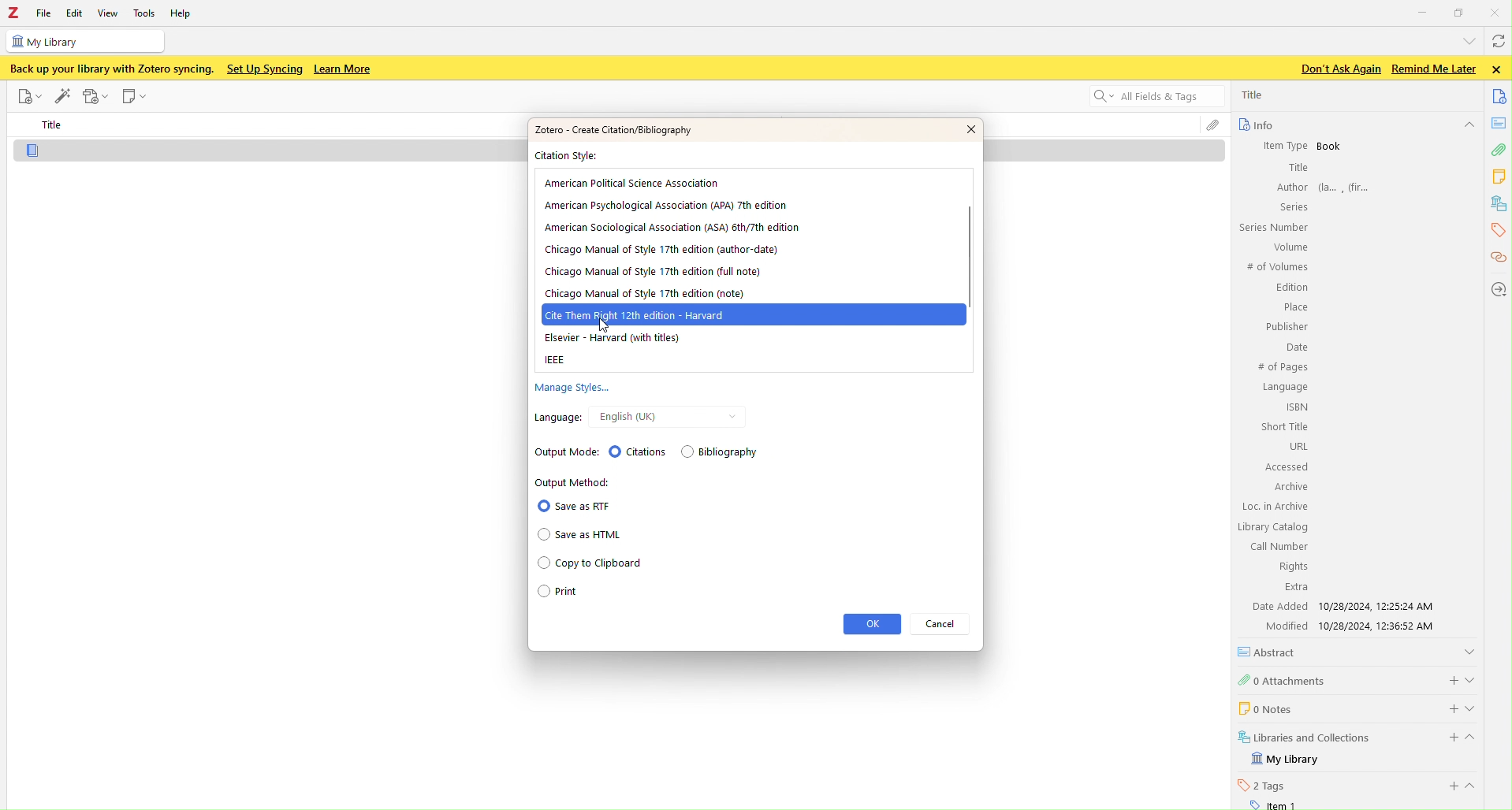  What do you see at coordinates (1497, 258) in the screenshot?
I see `citations` at bounding box center [1497, 258].